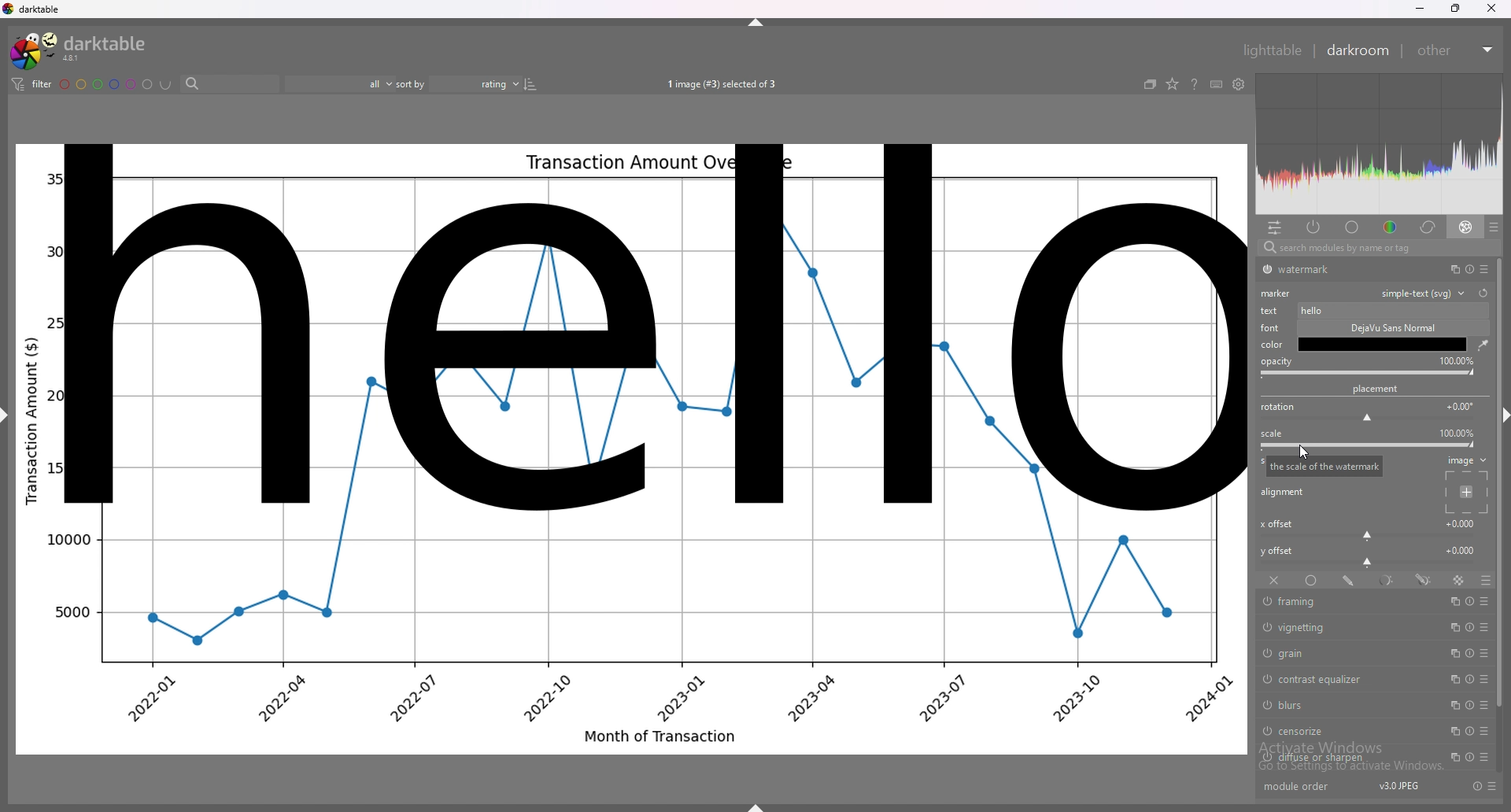 The height and width of the screenshot is (812, 1511). Describe the element at coordinates (1470, 601) in the screenshot. I see `reset` at that location.